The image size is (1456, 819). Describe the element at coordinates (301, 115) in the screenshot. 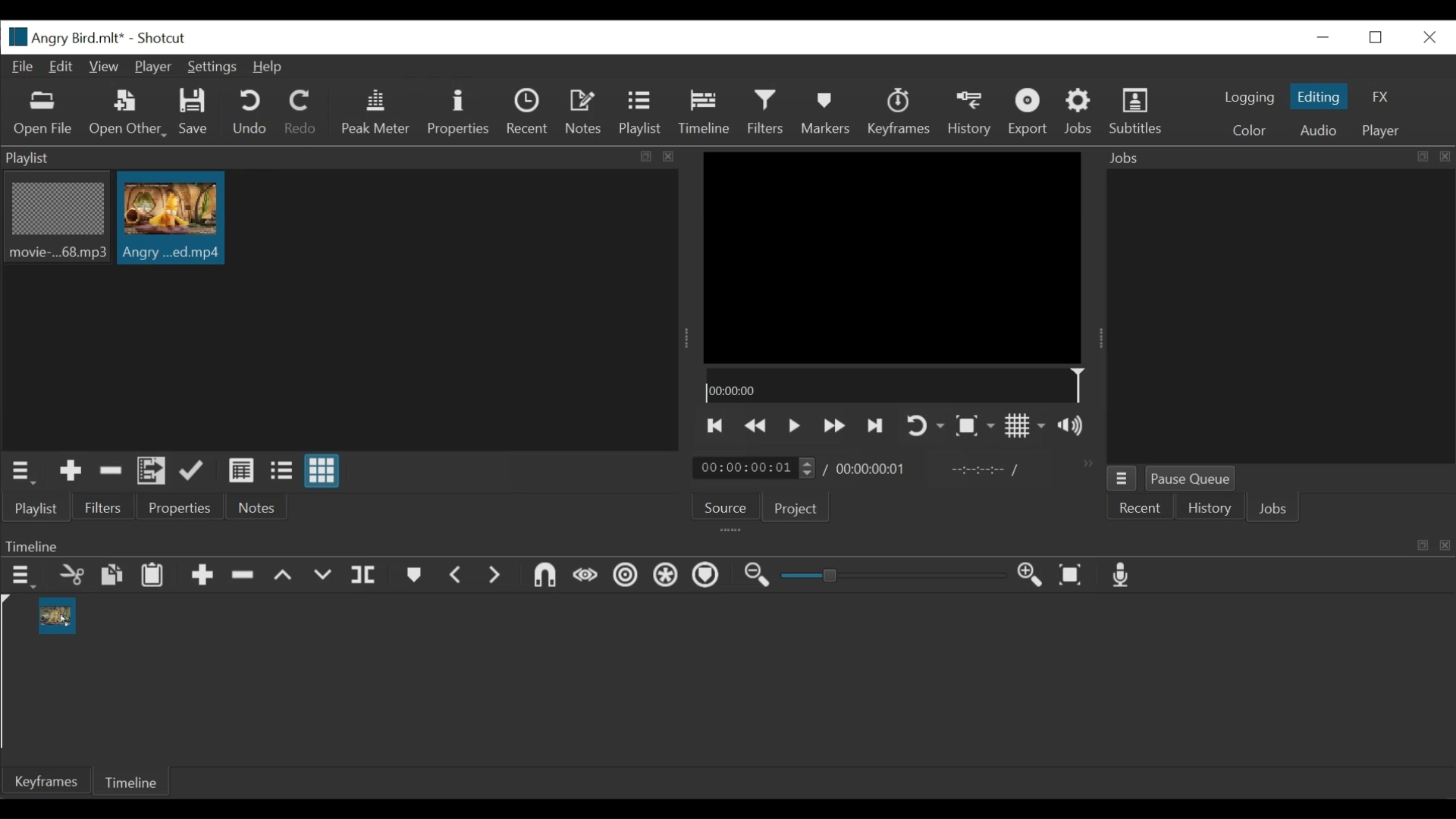

I see `Redo` at that location.